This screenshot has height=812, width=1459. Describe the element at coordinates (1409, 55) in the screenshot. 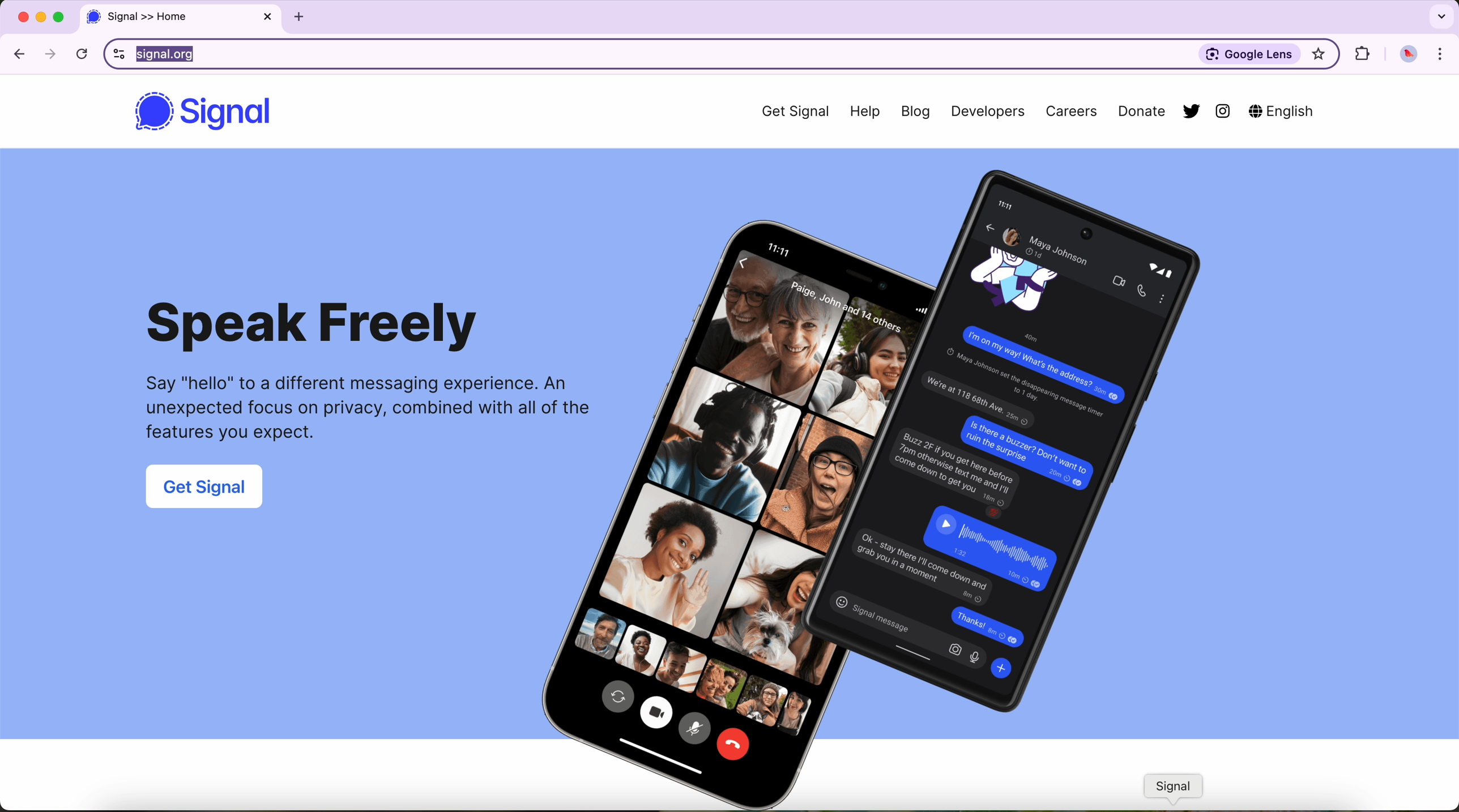

I see `profile picture` at that location.